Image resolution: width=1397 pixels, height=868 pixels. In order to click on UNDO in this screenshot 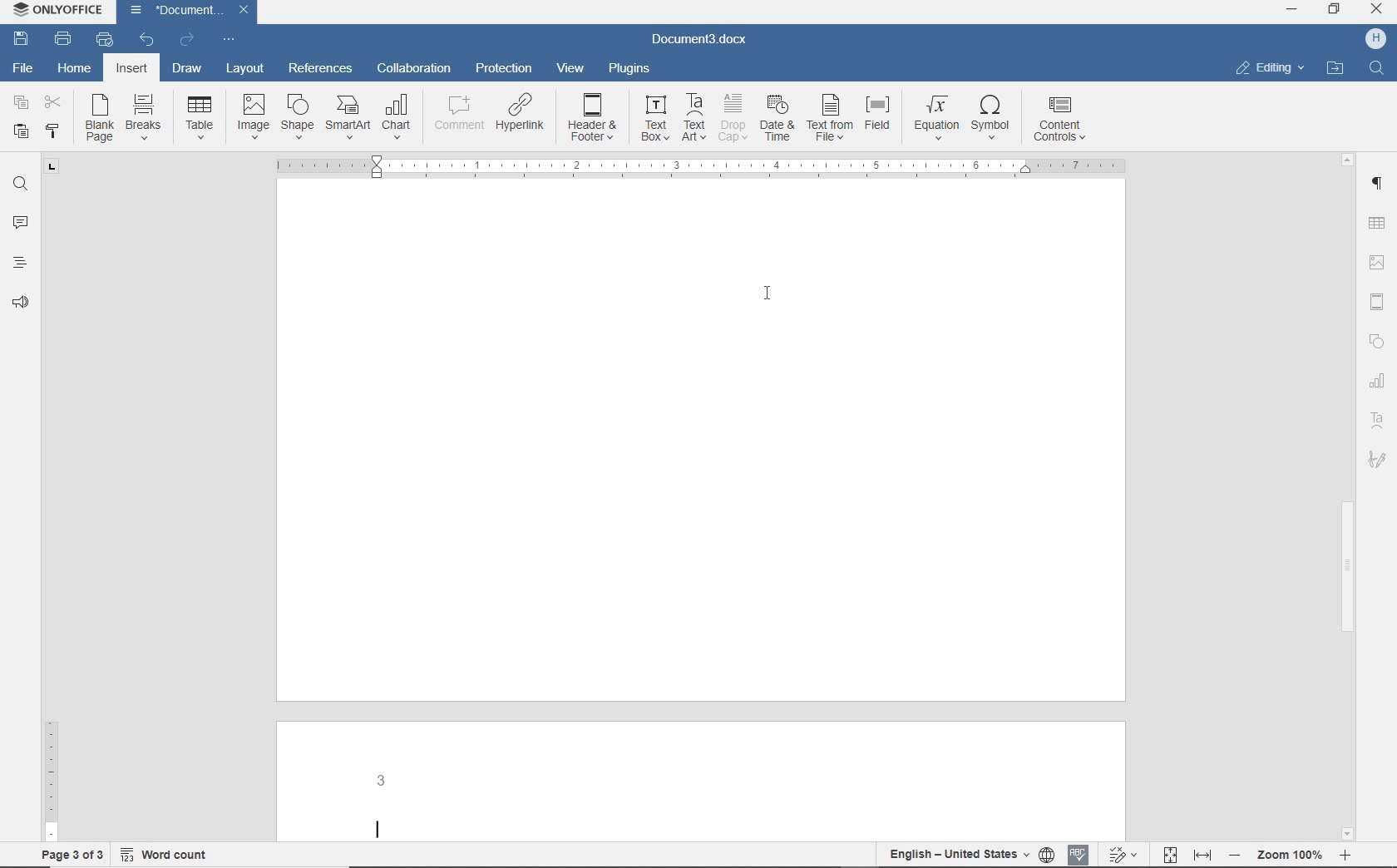, I will do `click(149, 38)`.